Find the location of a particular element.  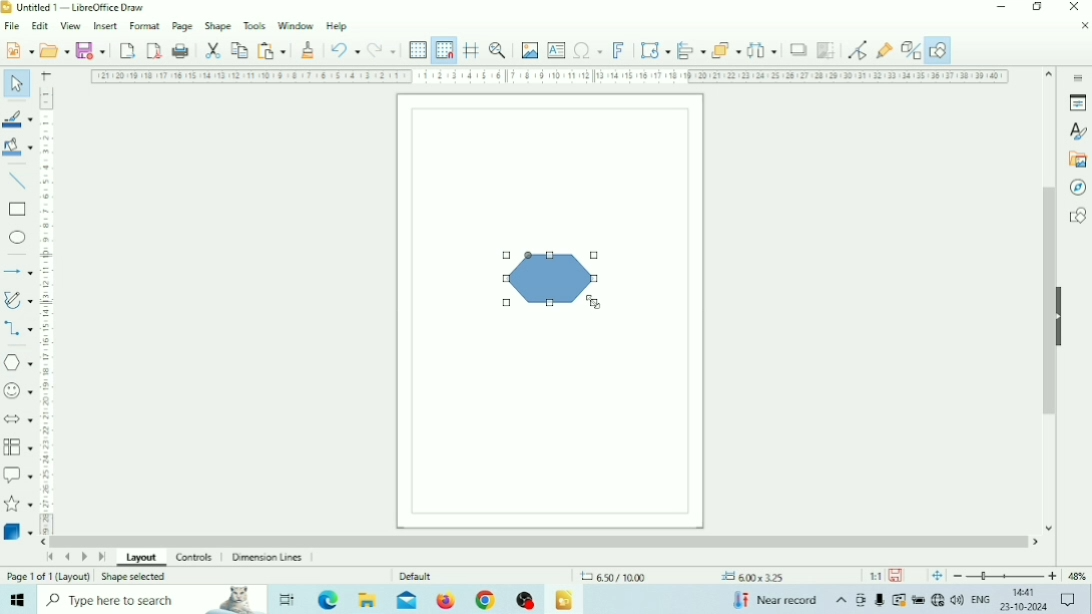

Insert is located at coordinates (106, 25).